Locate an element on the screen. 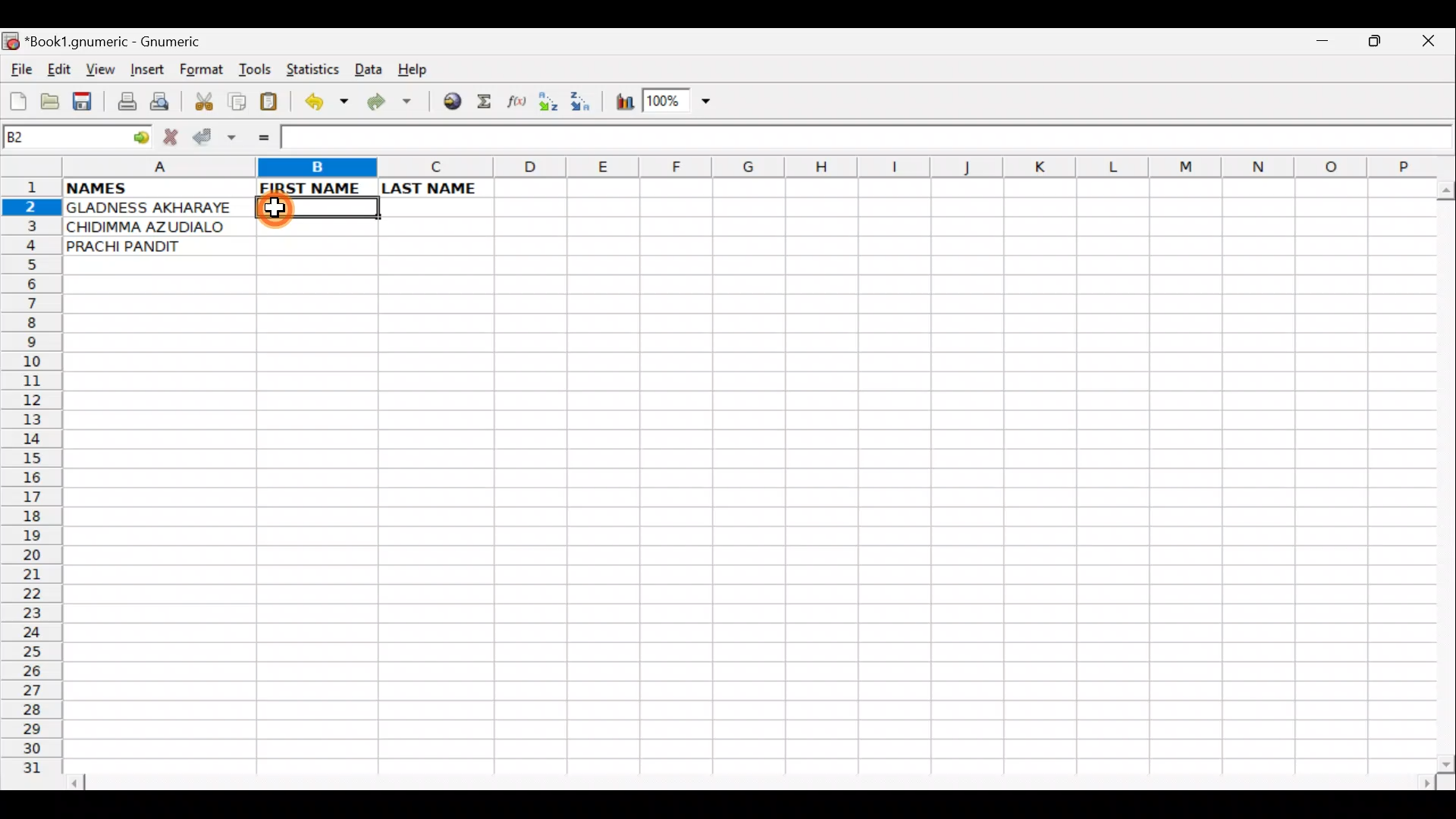 Image resolution: width=1456 pixels, height=819 pixels. Columns is located at coordinates (747, 166).